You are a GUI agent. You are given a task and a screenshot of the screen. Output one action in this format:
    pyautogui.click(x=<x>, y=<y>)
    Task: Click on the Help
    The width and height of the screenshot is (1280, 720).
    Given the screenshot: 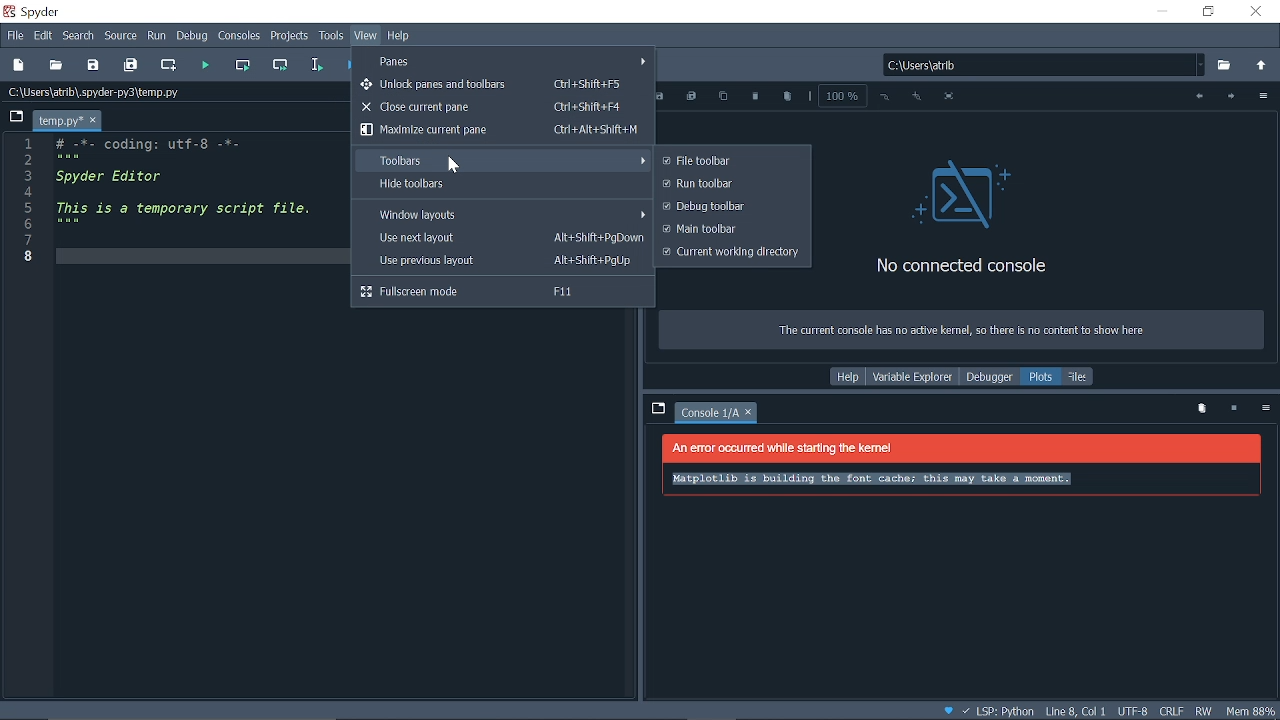 What is the action you would take?
    pyautogui.click(x=848, y=377)
    